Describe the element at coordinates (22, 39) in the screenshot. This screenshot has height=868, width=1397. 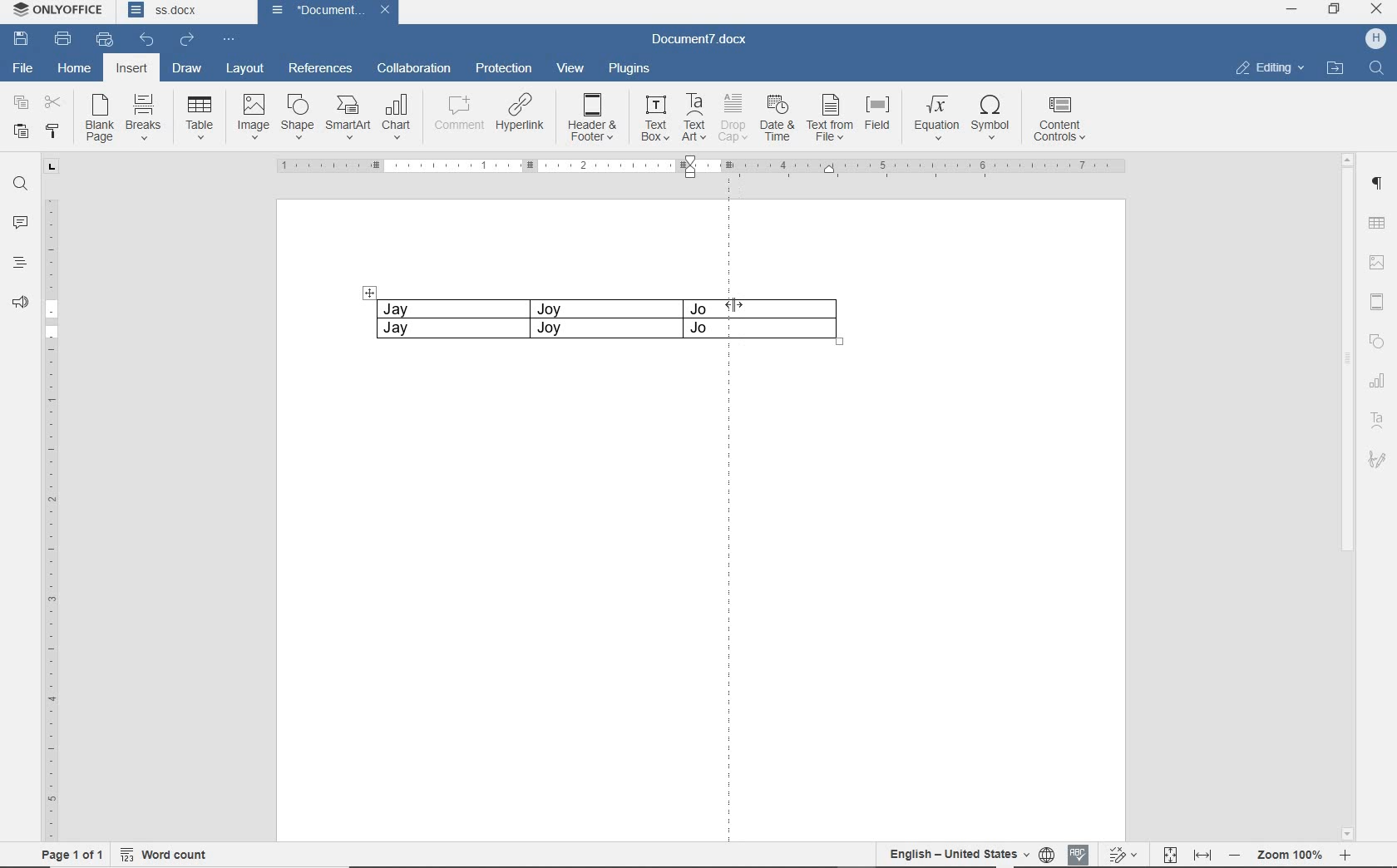
I see `SAVE` at that location.